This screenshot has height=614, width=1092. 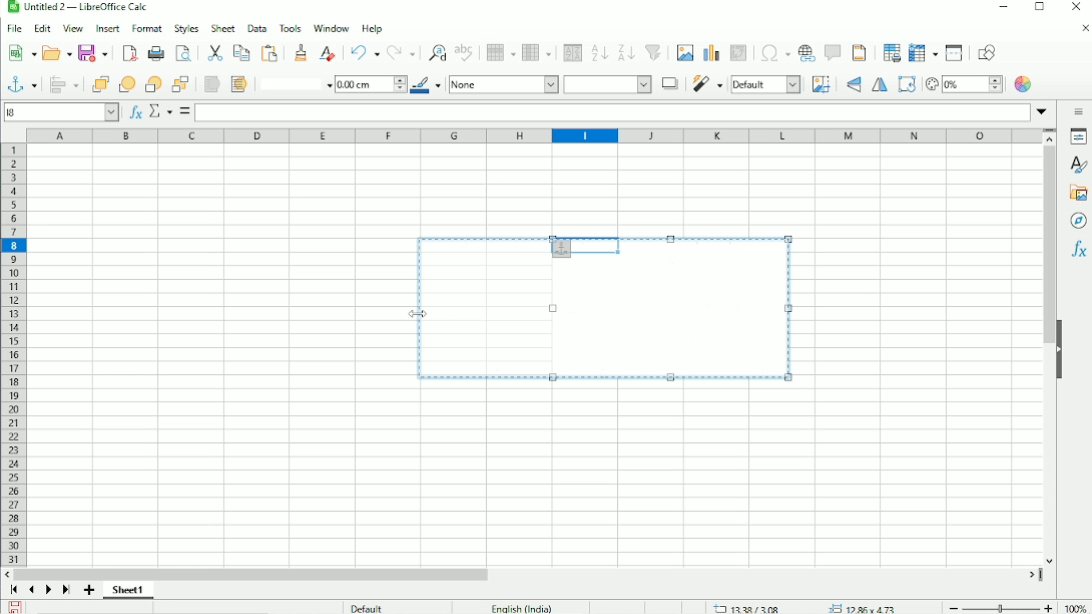 What do you see at coordinates (106, 29) in the screenshot?
I see `Insert` at bounding box center [106, 29].